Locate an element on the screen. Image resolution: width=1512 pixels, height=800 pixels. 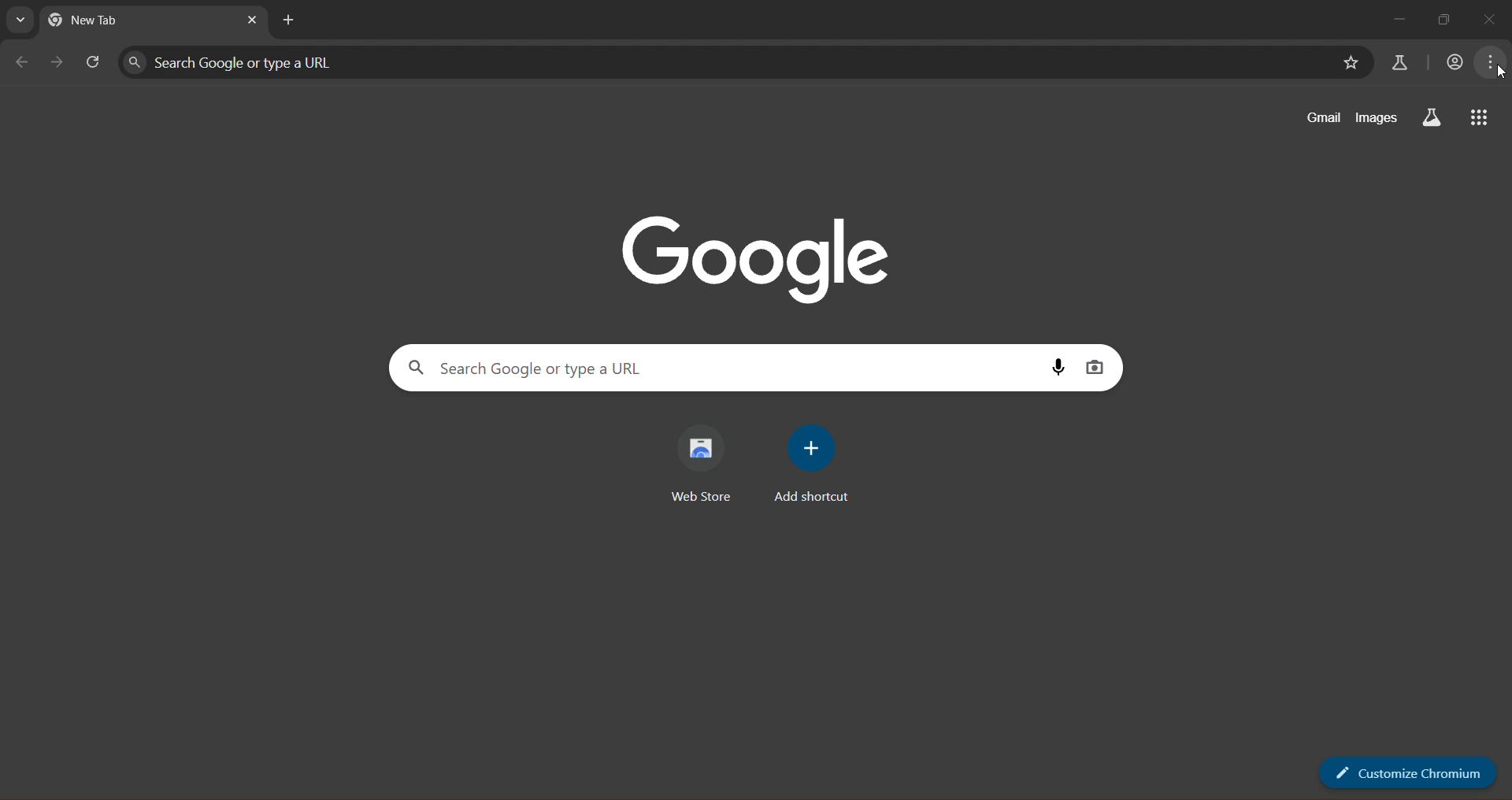
image is located at coordinates (756, 254).